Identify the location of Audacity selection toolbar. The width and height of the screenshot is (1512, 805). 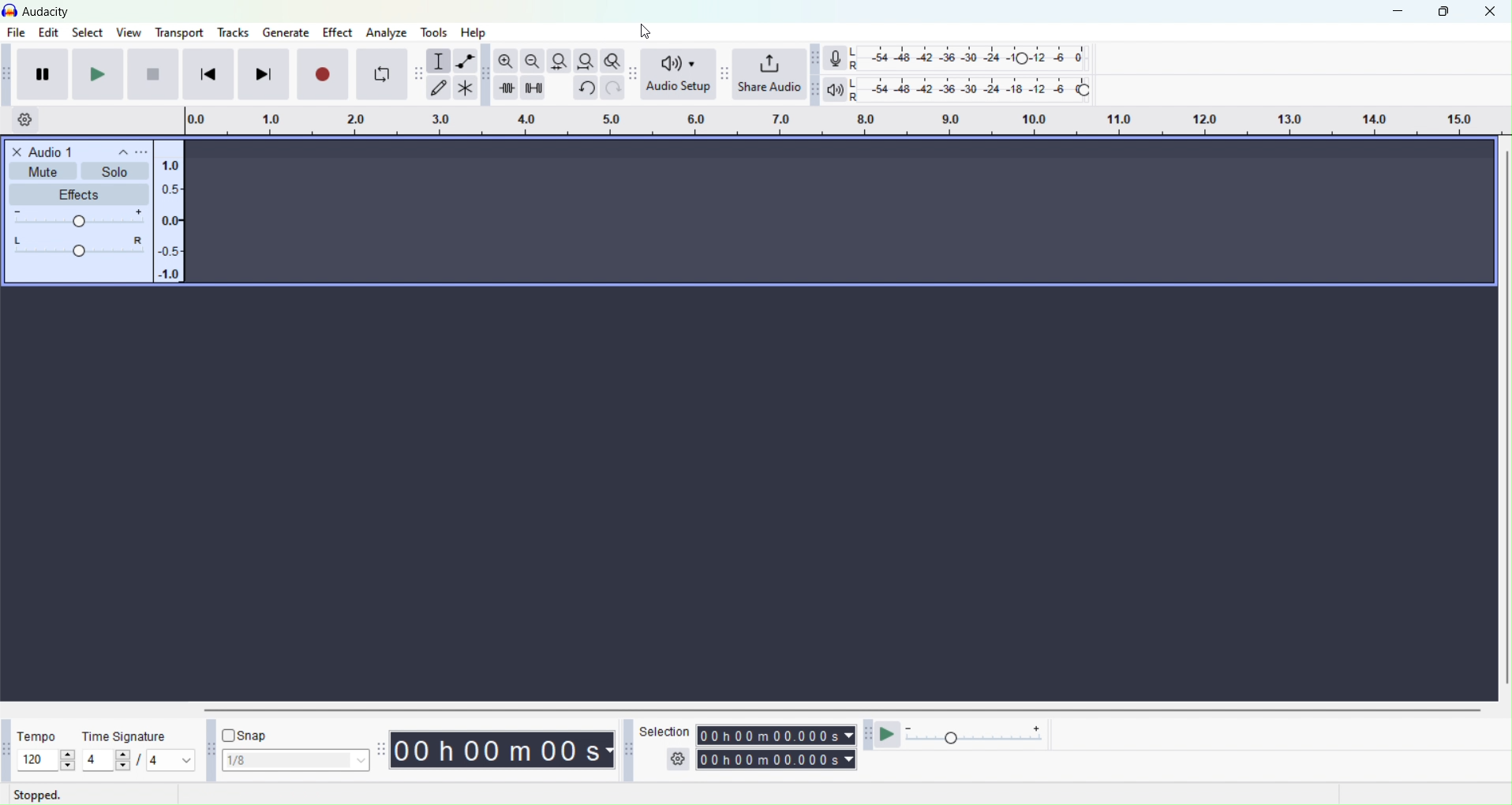
(627, 749).